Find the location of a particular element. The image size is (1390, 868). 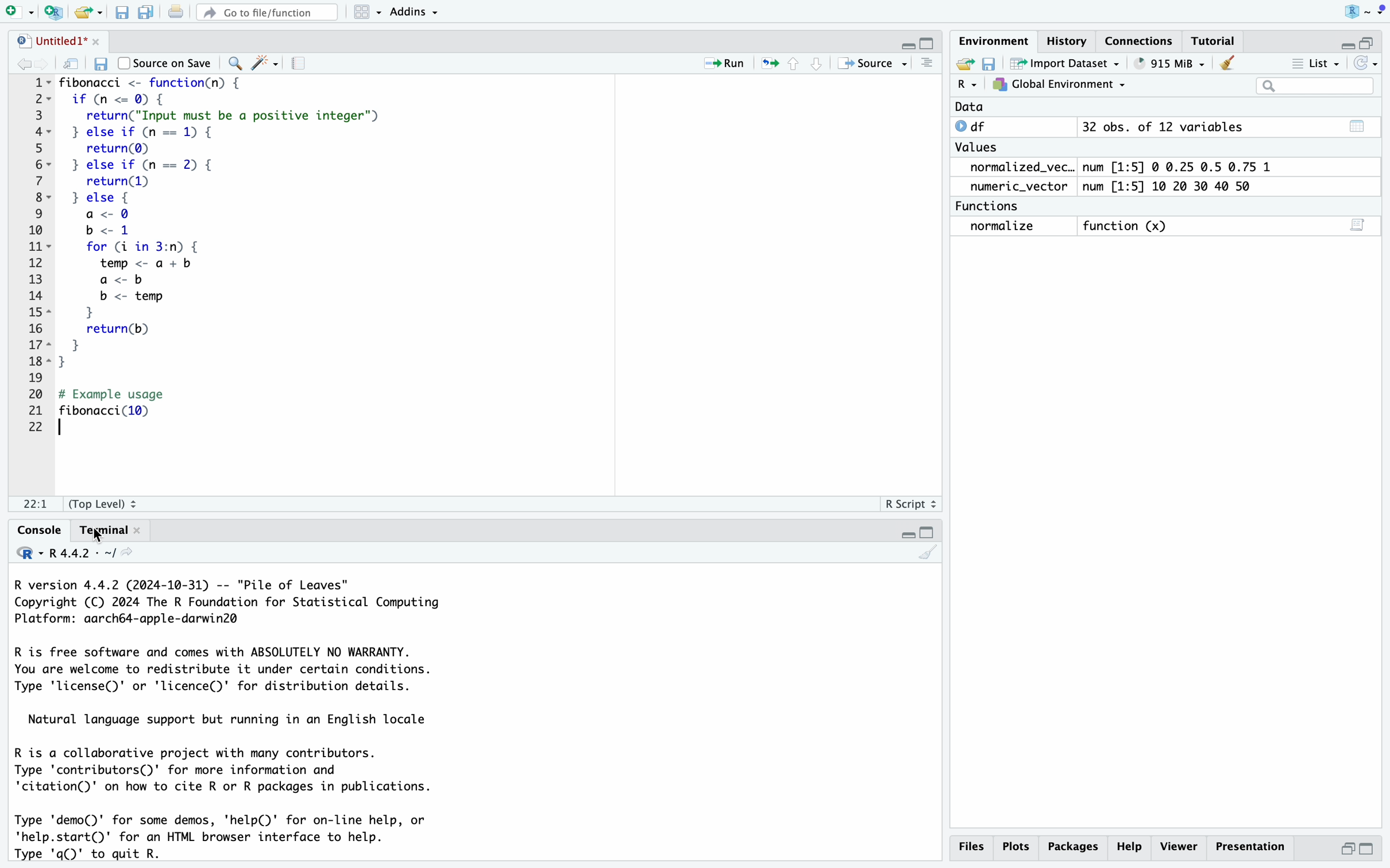

clear console is located at coordinates (928, 556).